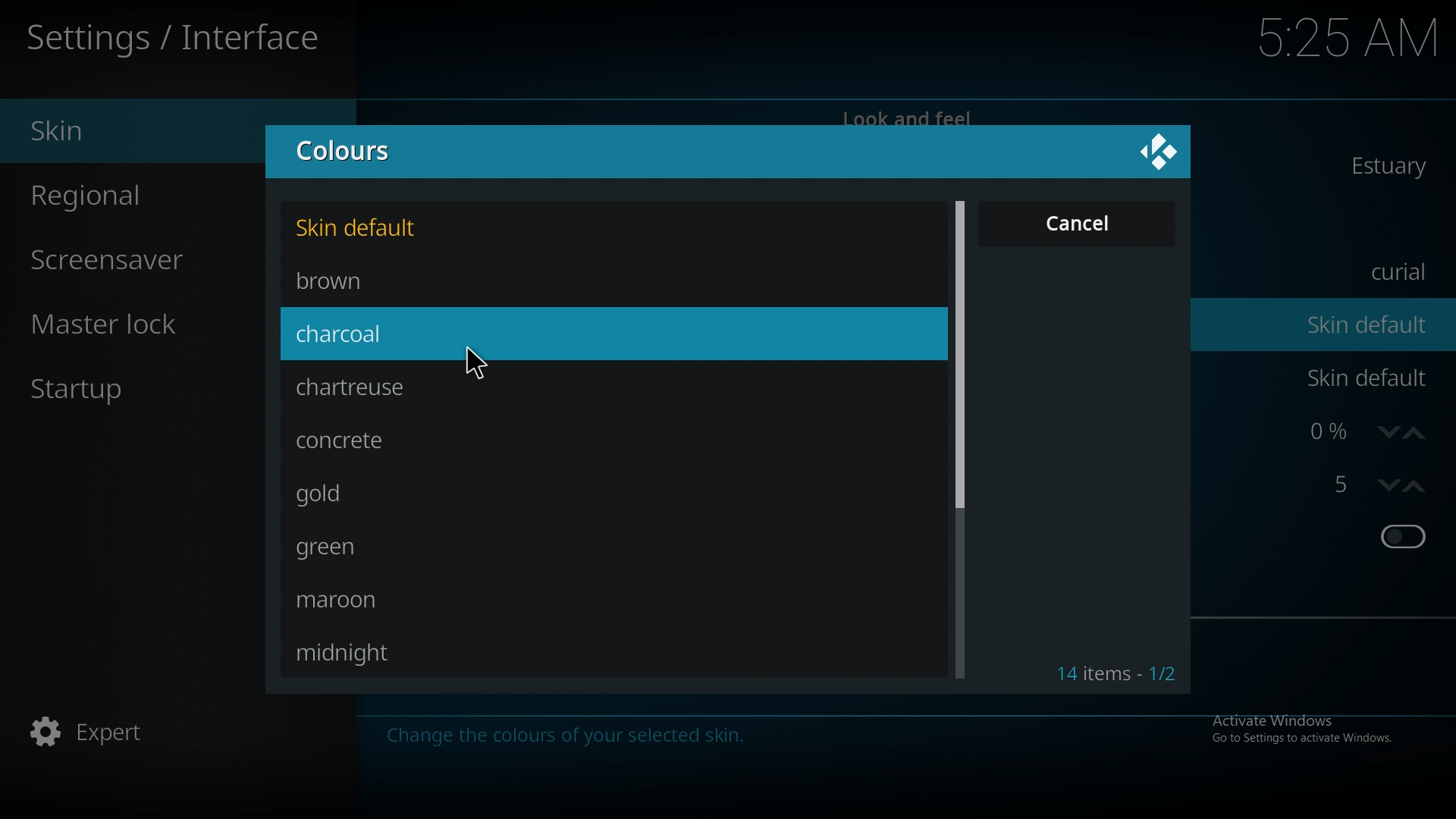 This screenshot has width=1456, height=819. What do you see at coordinates (1330, 431) in the screenshot?
I see `zoom` at bounding box center [1330, 431].